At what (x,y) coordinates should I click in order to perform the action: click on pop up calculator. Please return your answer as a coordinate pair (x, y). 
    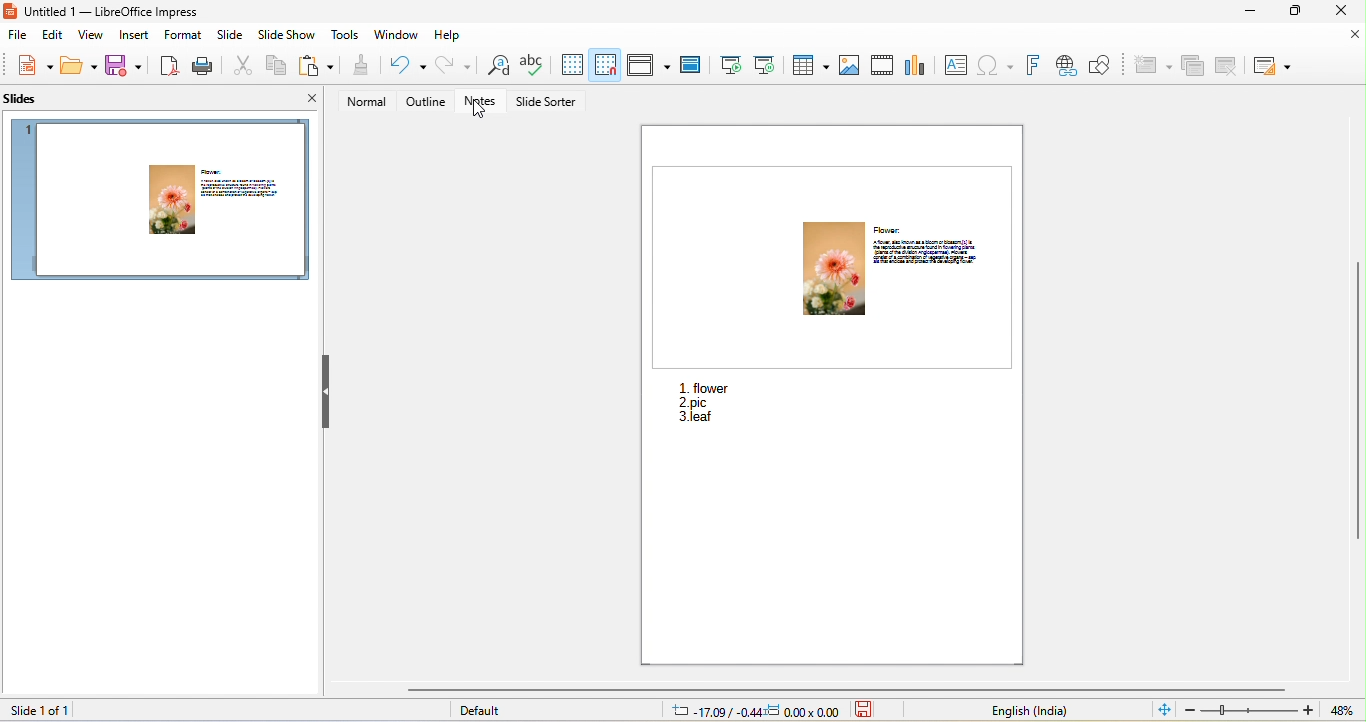
    Looking at the image, I should click on (1226, 67).